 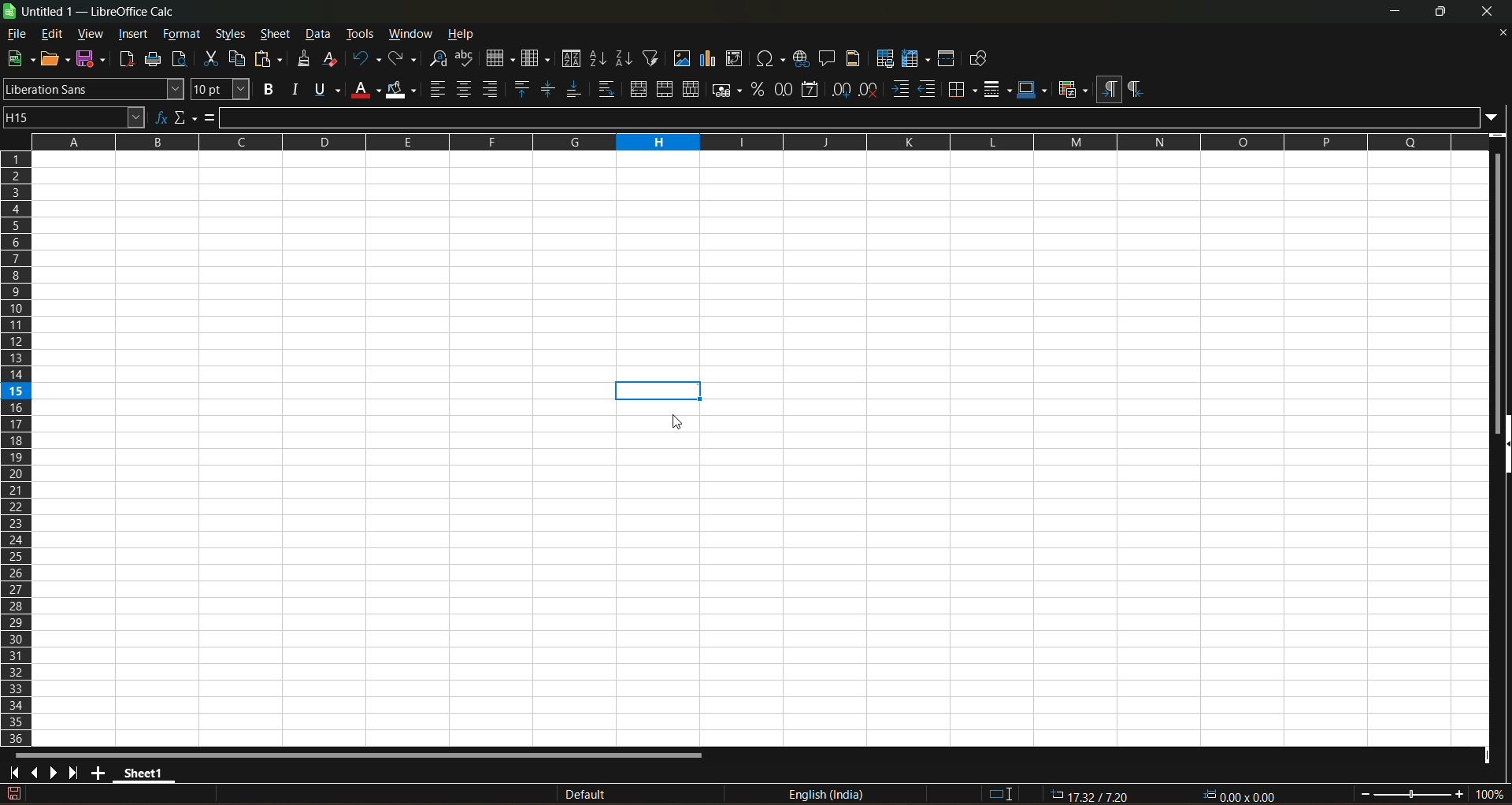 I want to click on center vertically, so click(x=547, y=89).